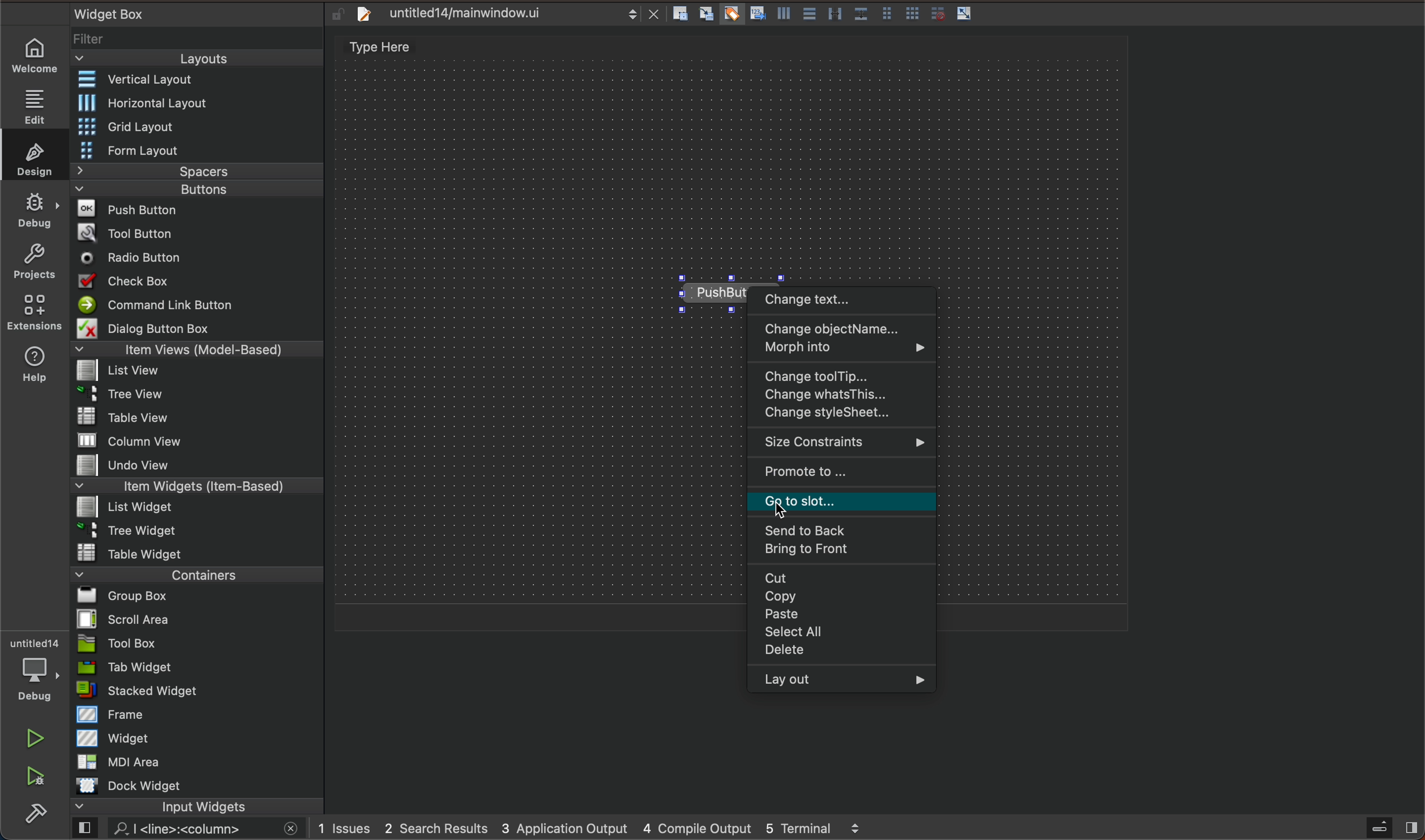 This screenshot has width=1425, height=840. I want to click on tool button, so click(203, 233).